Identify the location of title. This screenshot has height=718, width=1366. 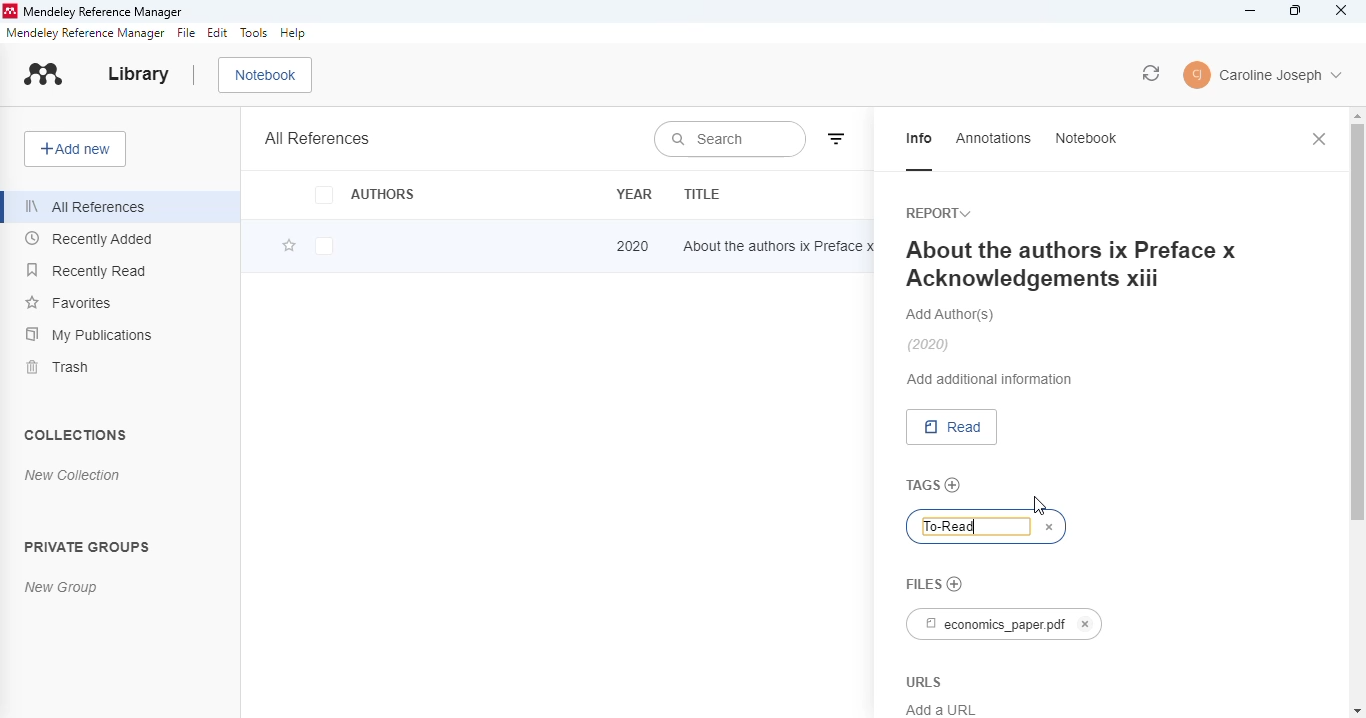
(701, 194).